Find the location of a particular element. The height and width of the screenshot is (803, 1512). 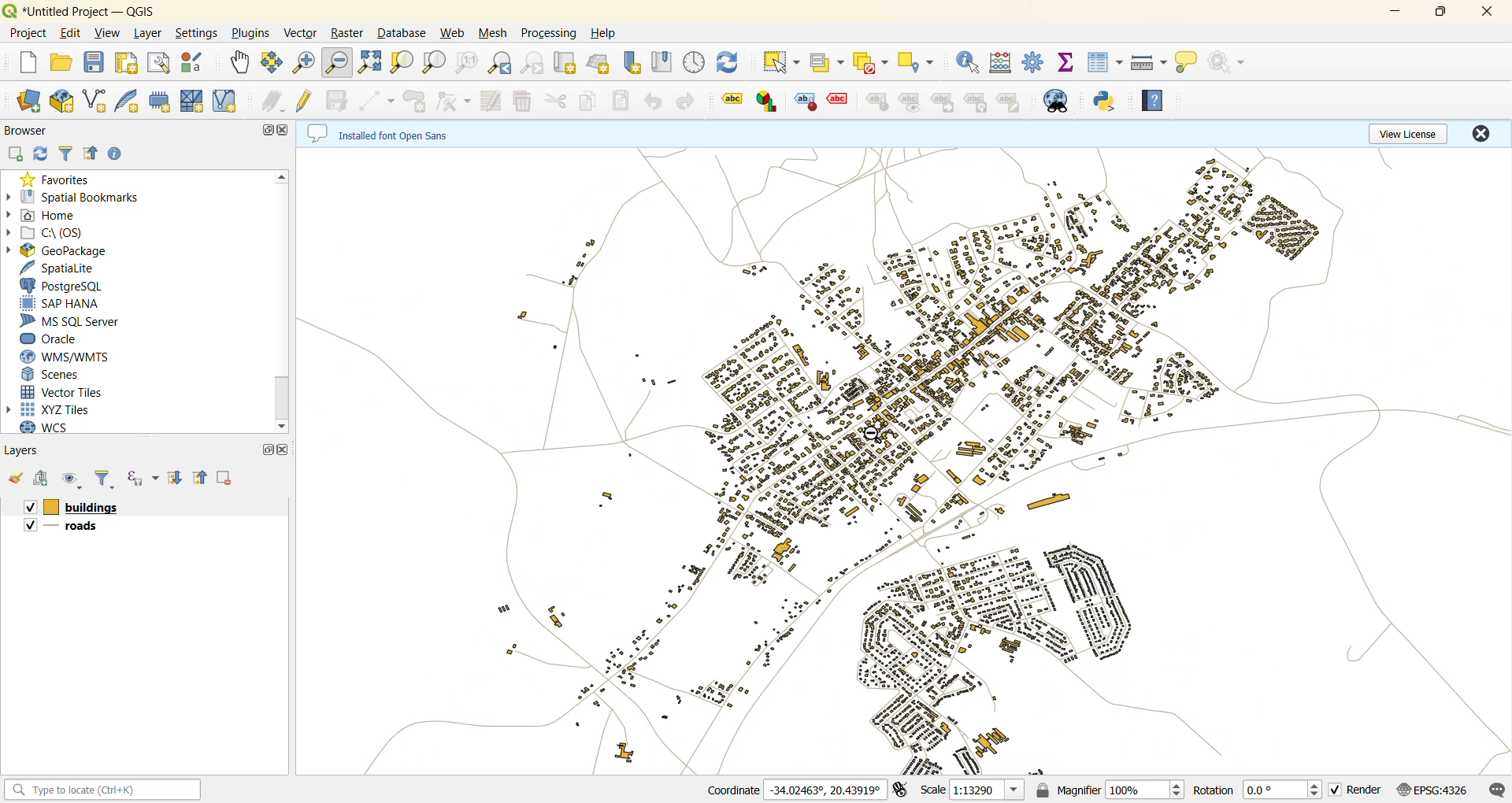

calculator is located at coordinates (1001, 62).